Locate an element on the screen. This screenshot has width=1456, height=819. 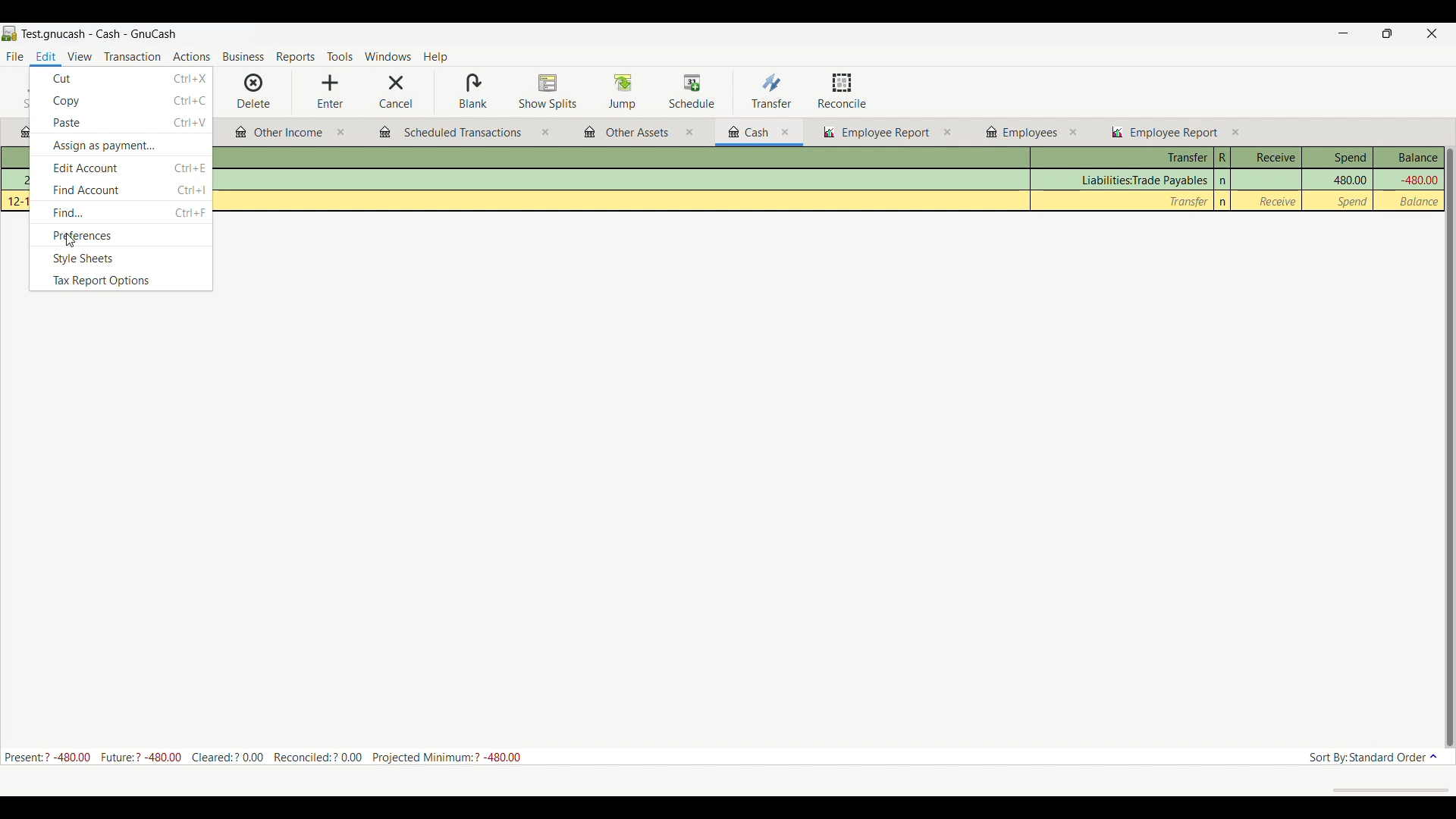
Other budgets and reports is located at coordinates (877, 133).